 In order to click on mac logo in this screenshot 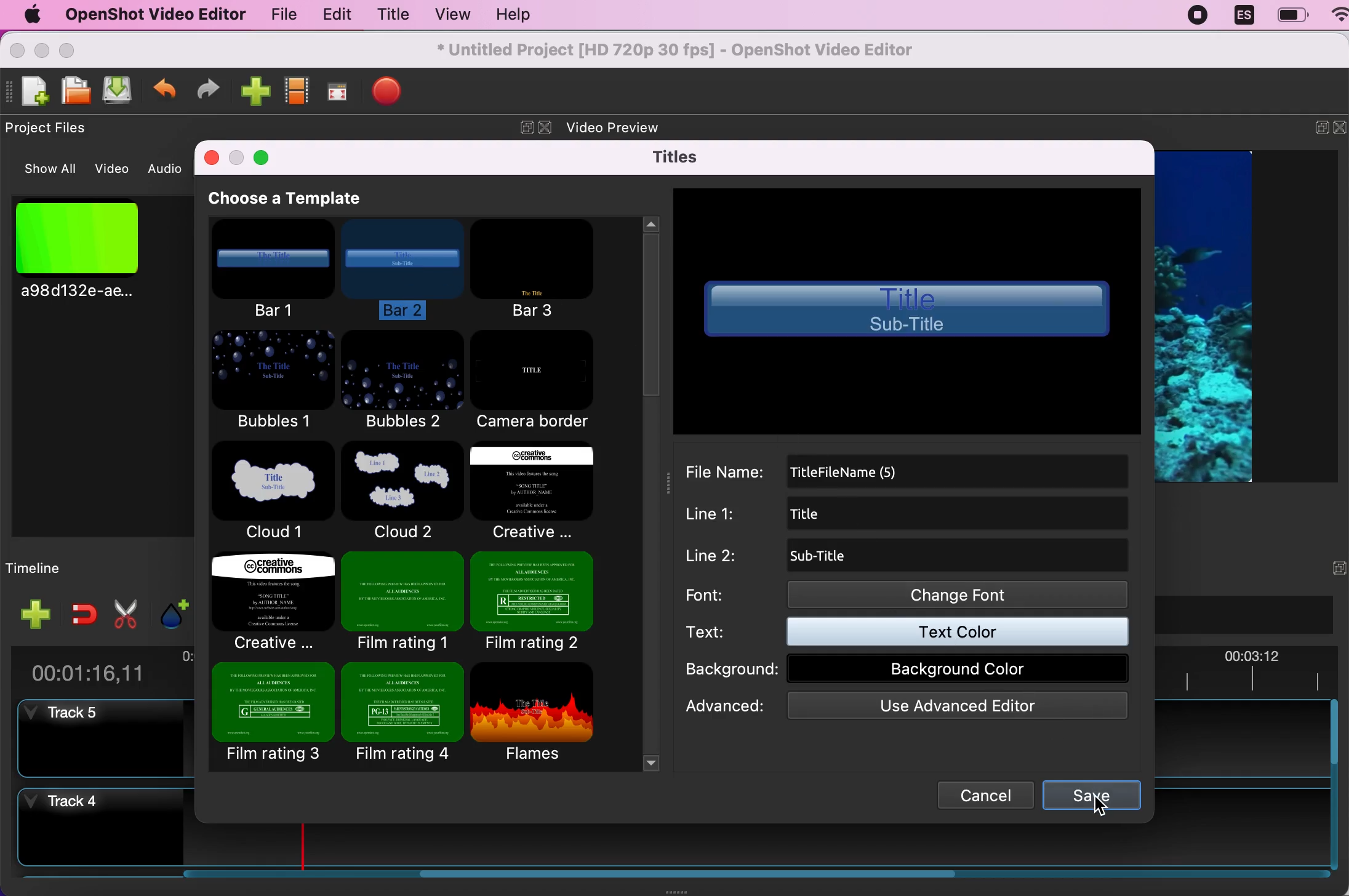, I will do `click(31, 14)`.